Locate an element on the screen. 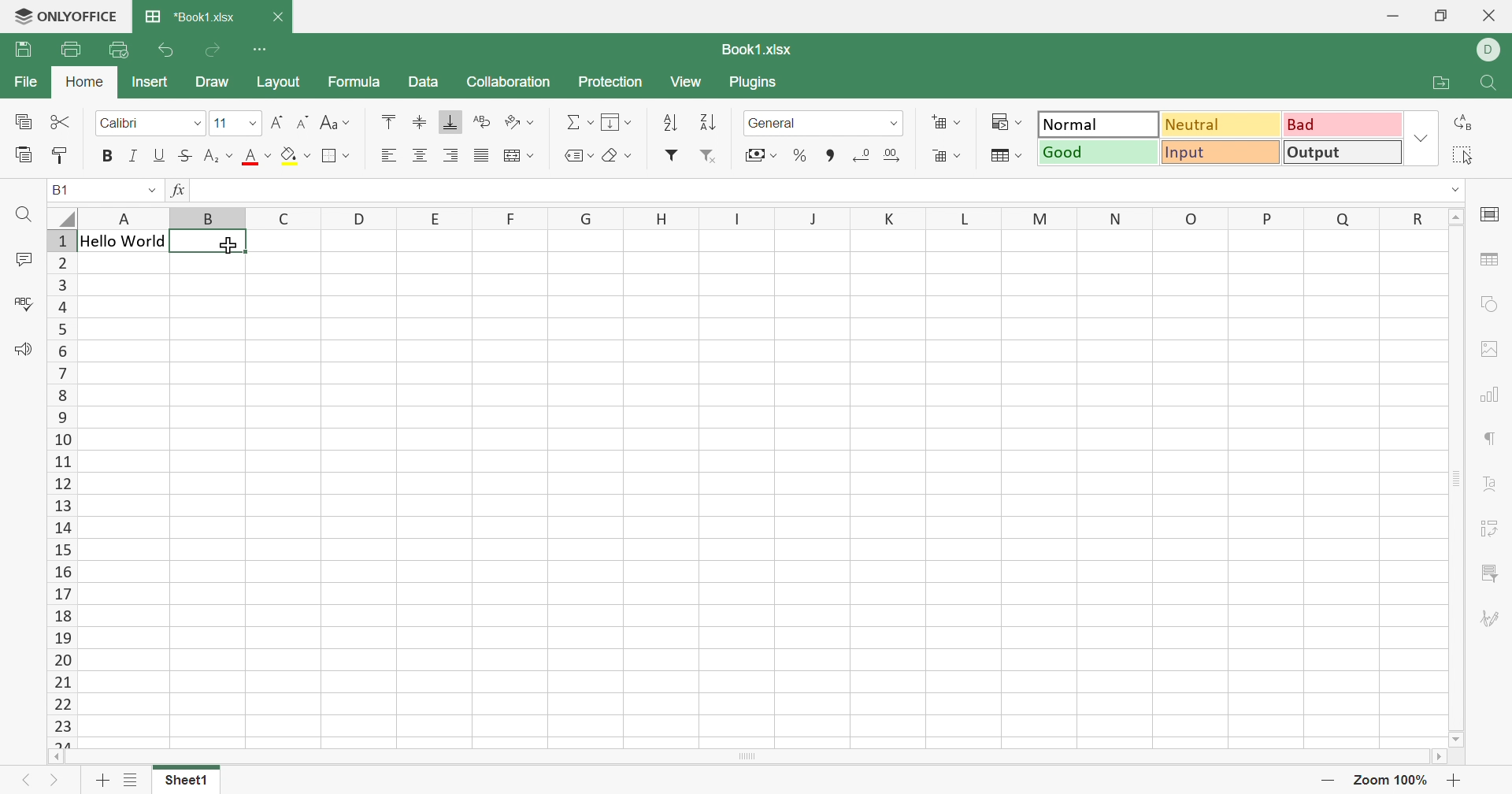 Image resolution: width=1512 pixels, height=794 pixels. Replace is located at coordinates (1464, 123).